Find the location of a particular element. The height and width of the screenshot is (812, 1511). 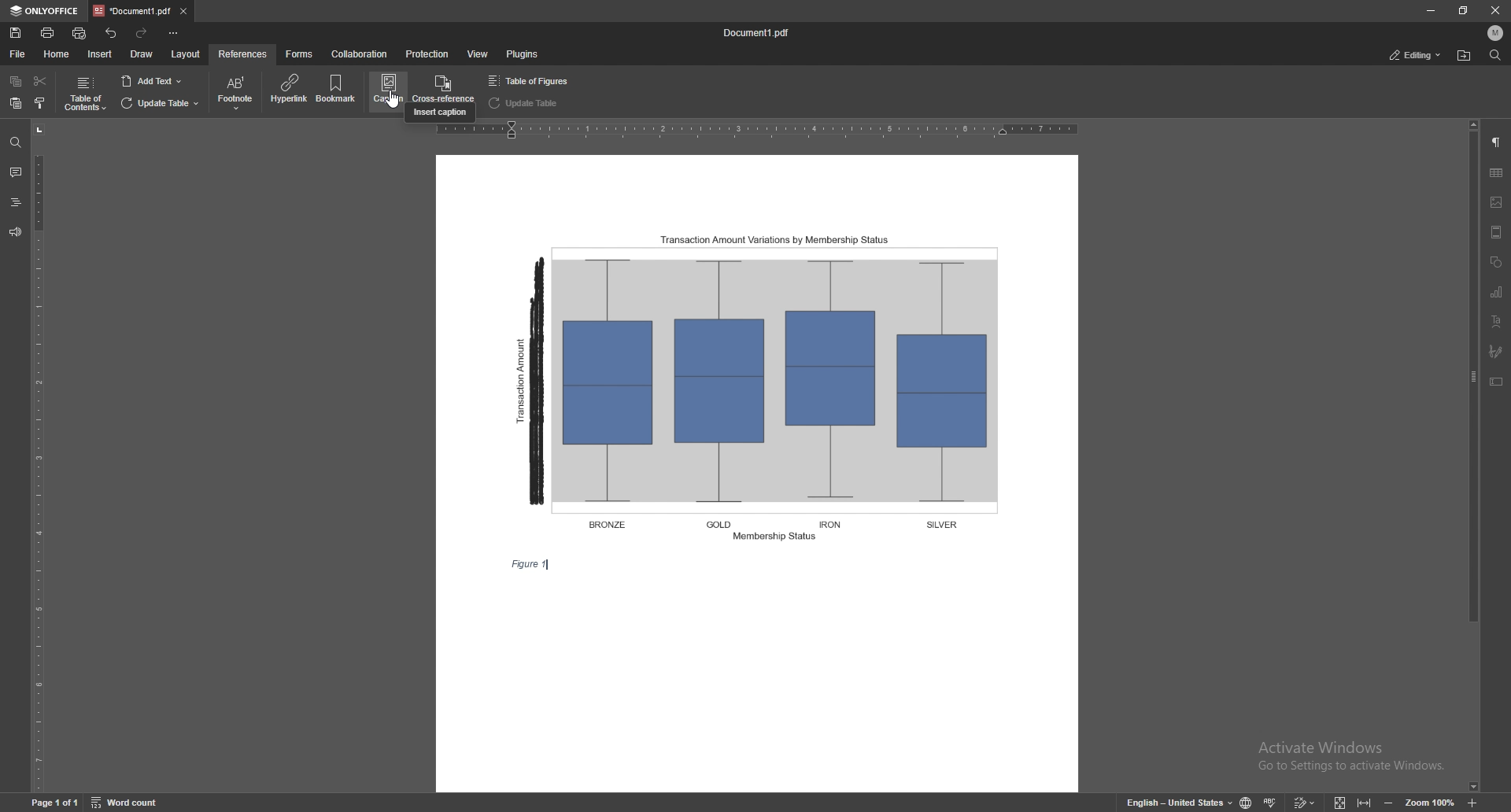

feedback is located at coordinates (14, 232).